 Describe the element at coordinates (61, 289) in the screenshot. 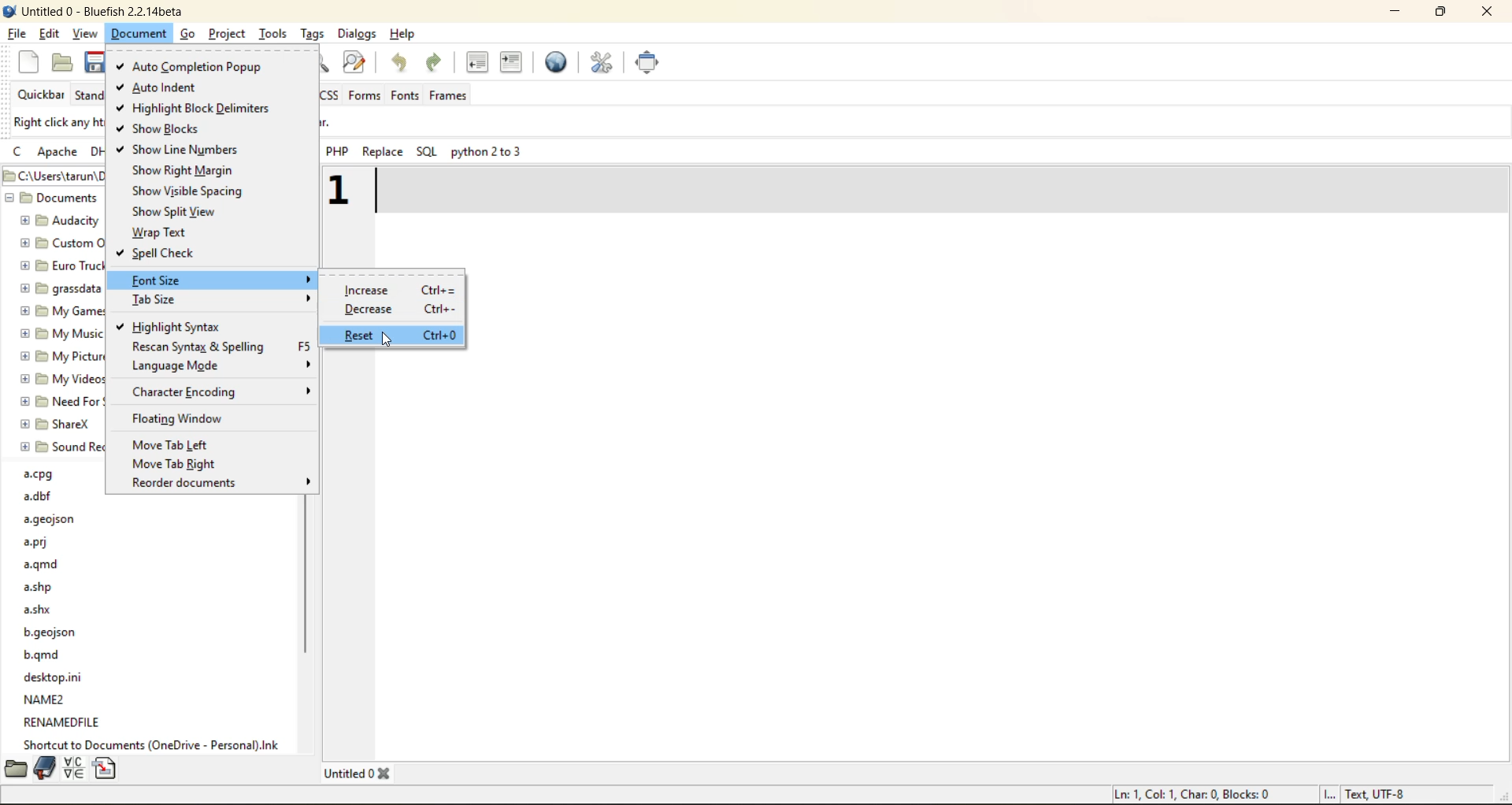

I see `grasssdata` at that location.